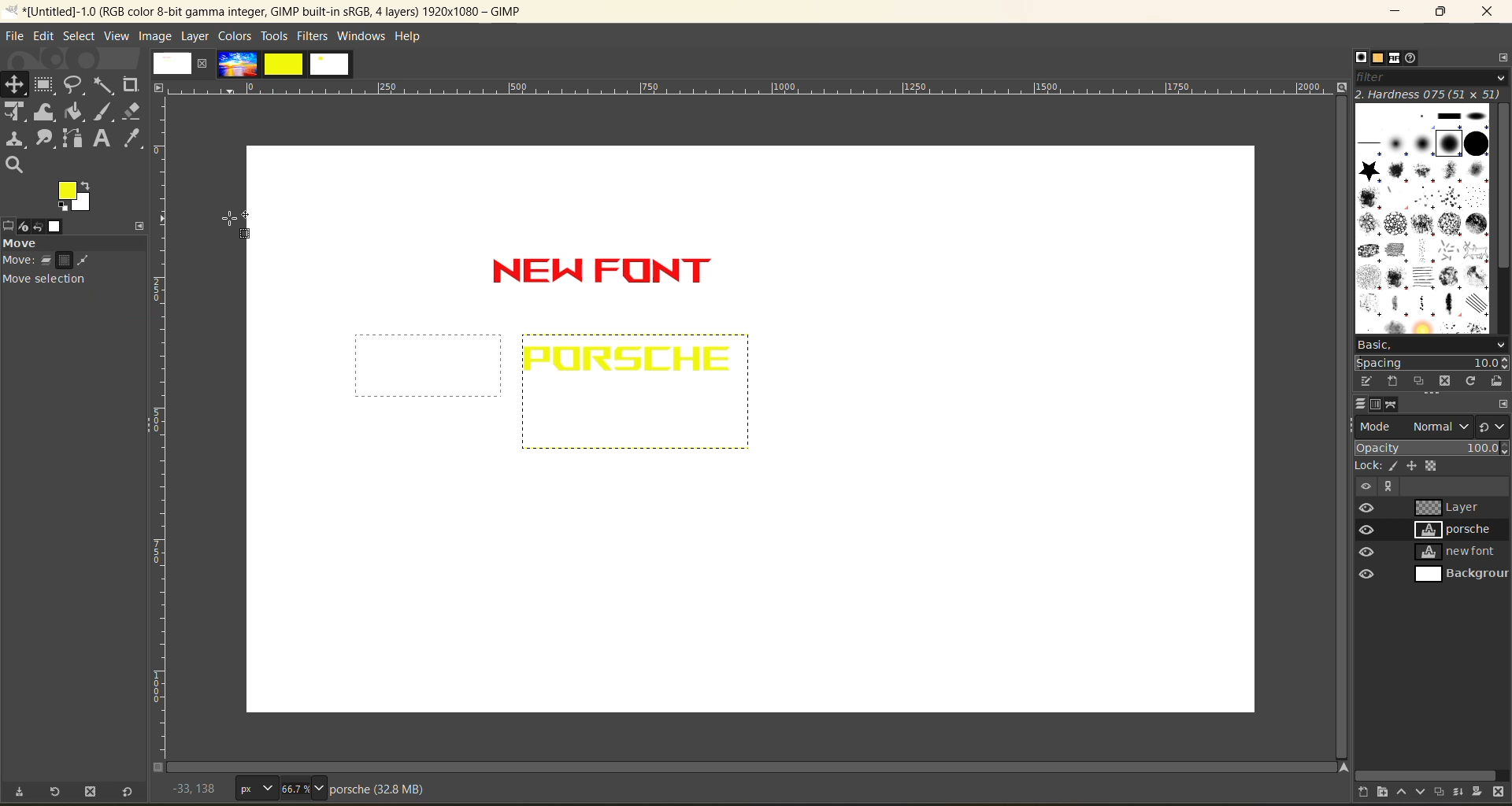  What do you see at coordinates (138, 224) in the screenshot?
I see `configure` at bounding box center [138, 224].